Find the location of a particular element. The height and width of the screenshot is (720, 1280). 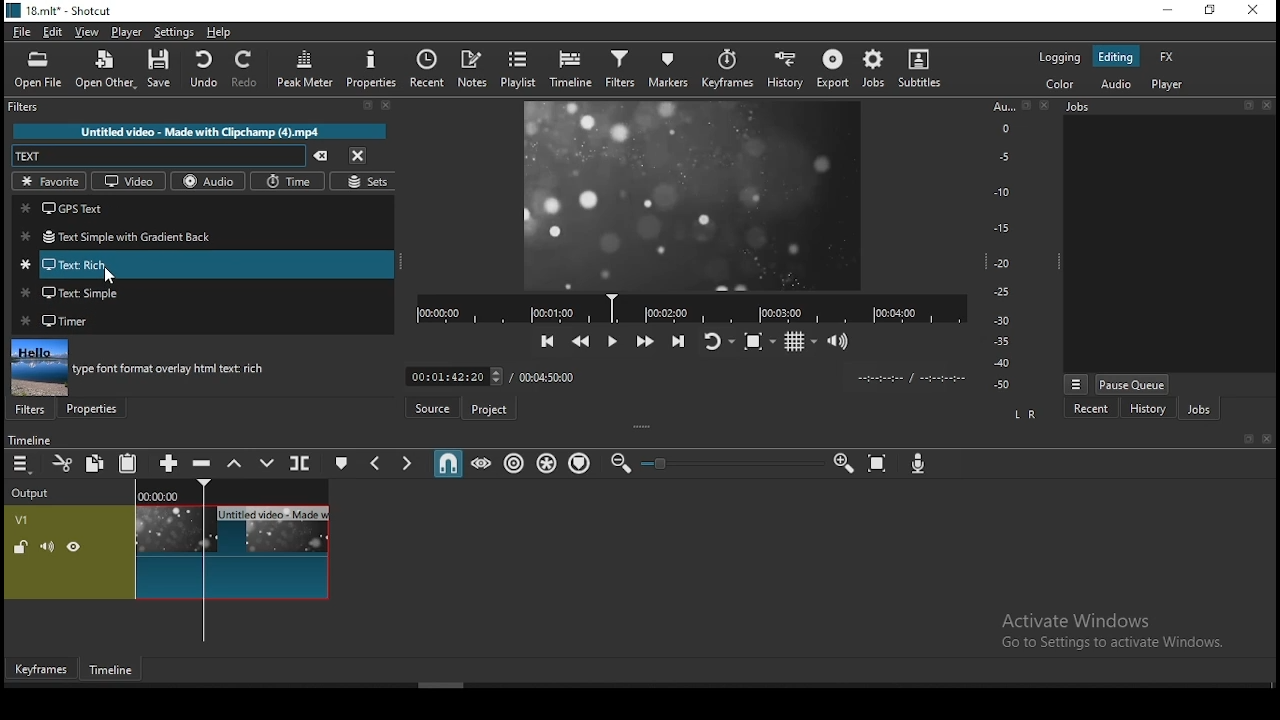

total time is located at coordinates (550, 376).